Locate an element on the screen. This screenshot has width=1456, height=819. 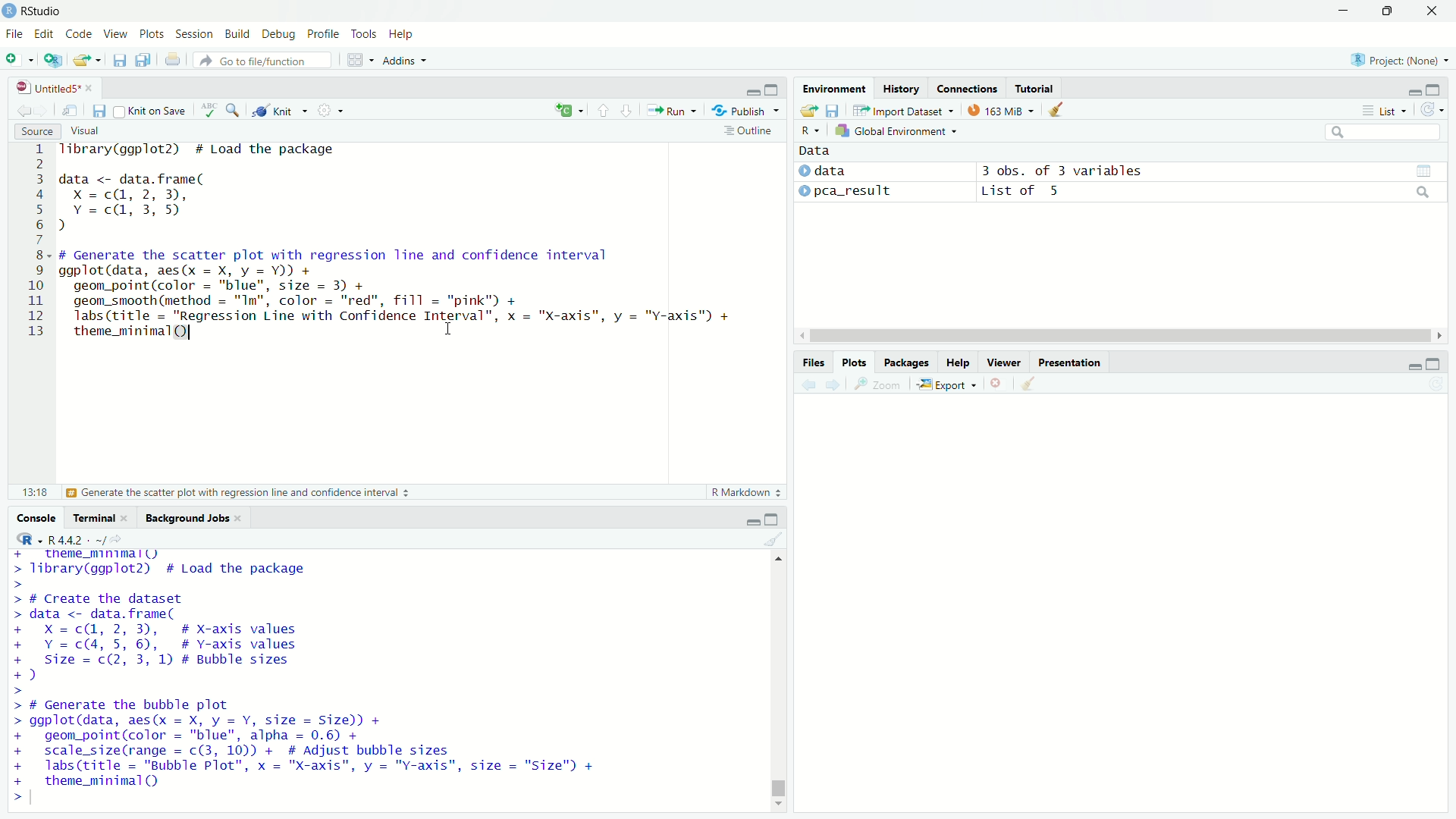
close is located at coordinates (1432, 11).